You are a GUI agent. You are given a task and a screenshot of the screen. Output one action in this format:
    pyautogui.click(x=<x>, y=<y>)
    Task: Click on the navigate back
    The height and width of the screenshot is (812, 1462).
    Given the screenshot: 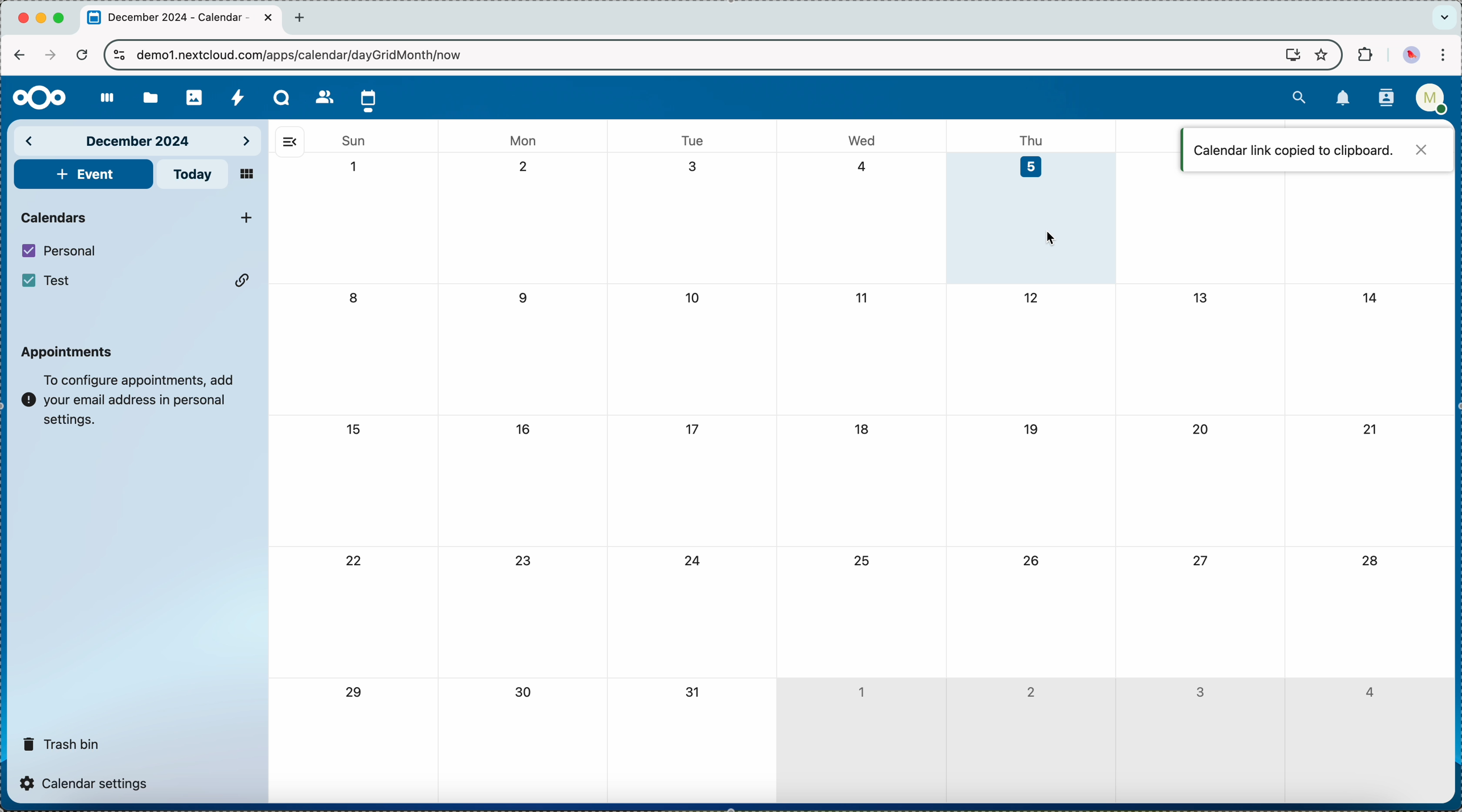 What is the action you would take?
    pyautogui.click(x=19, y=54)
    